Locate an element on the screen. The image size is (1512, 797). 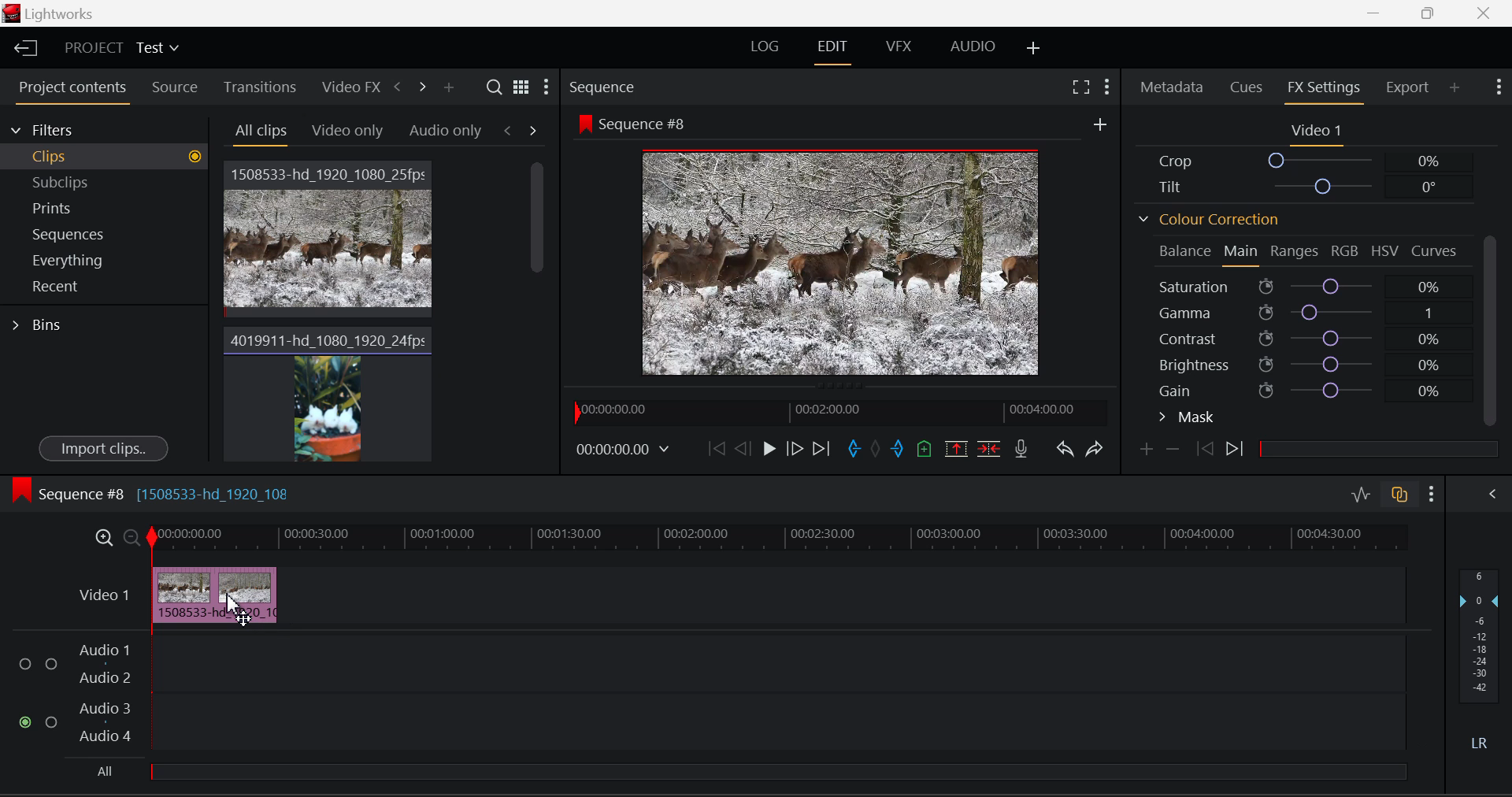
Remove keyframe is located at coordinates (1173, 451).